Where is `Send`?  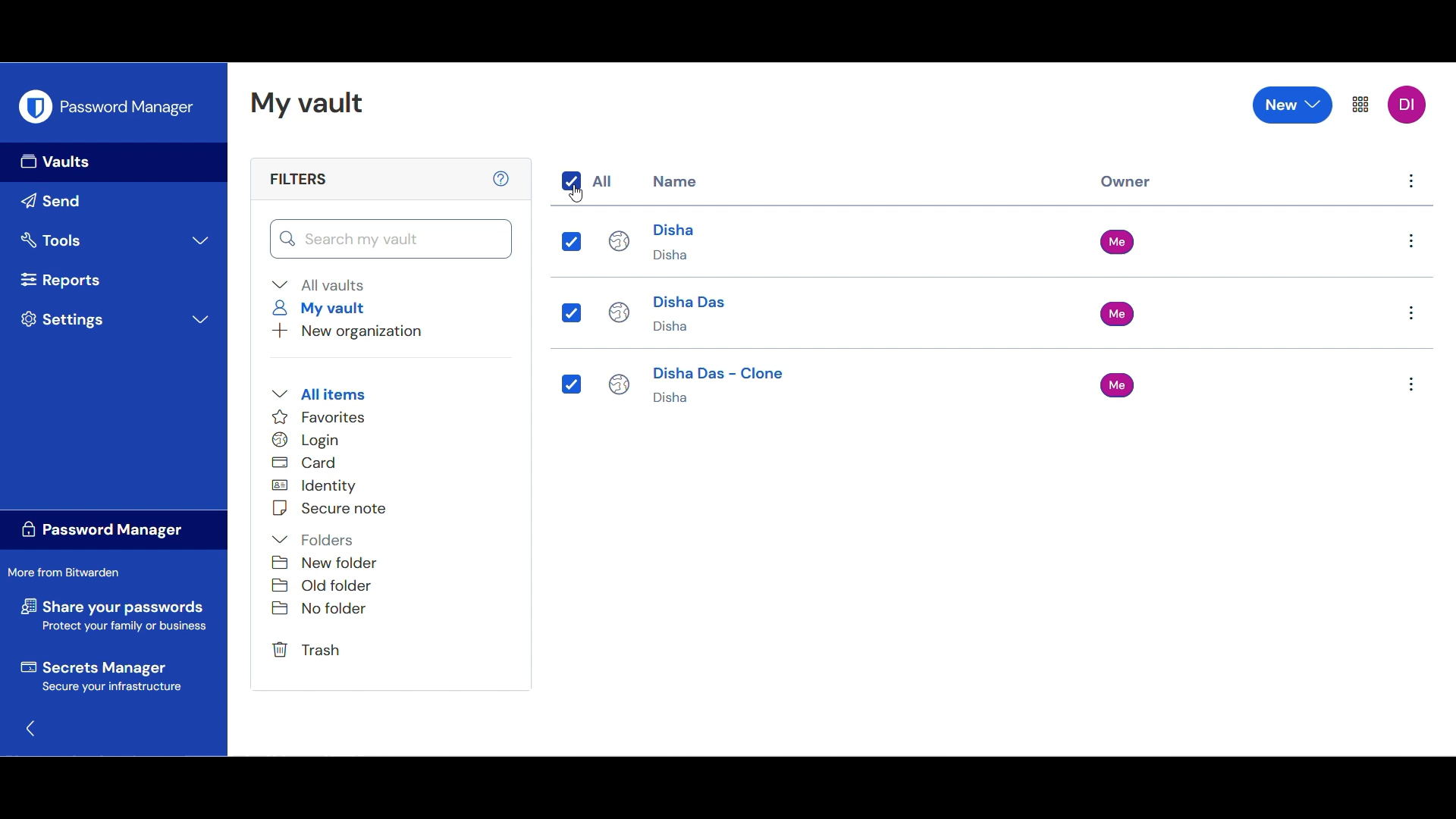
Send is located at coordinates (114, 202).